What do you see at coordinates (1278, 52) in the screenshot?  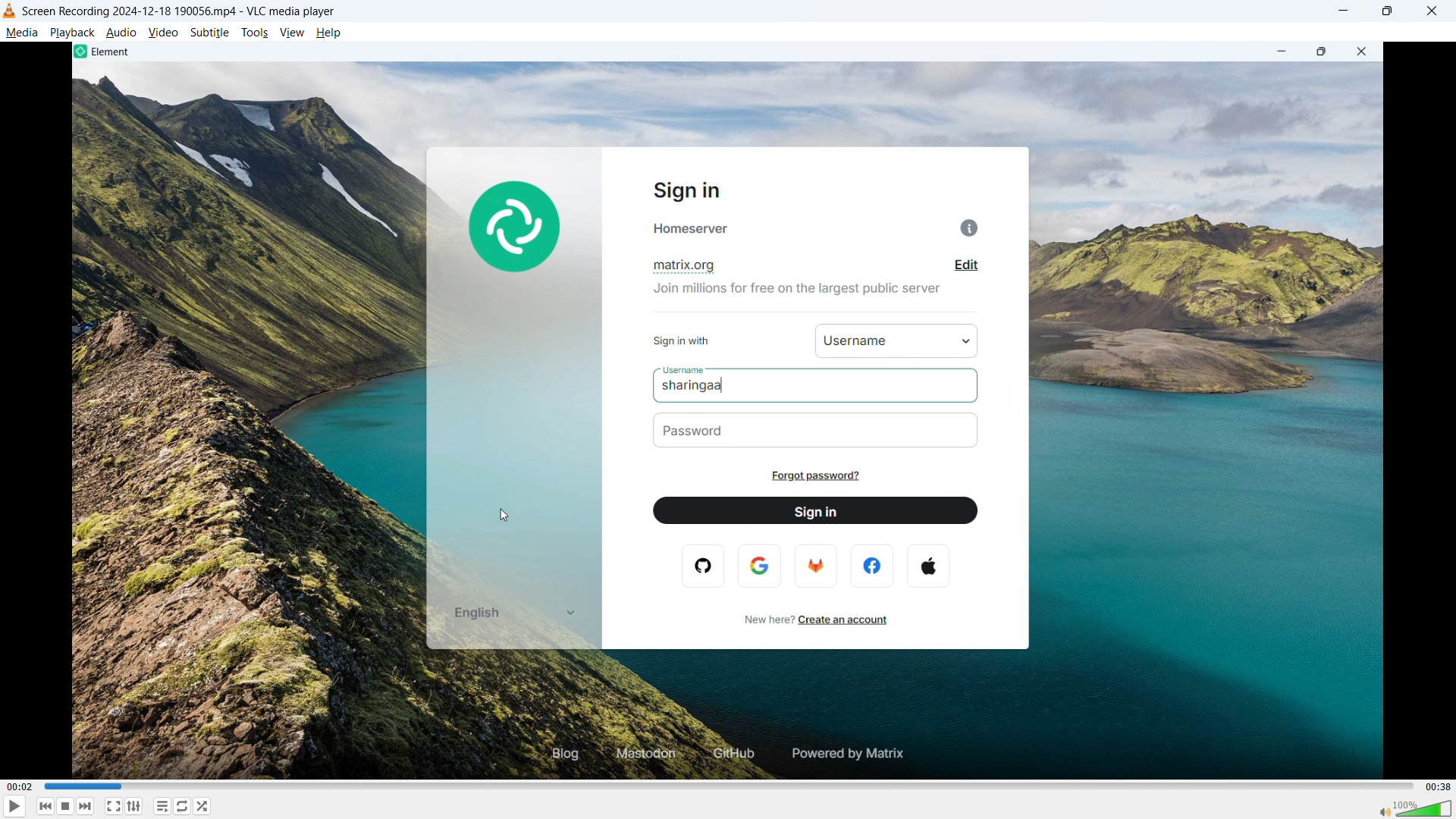 I see `minimize` at bounding box center [1278, 52].